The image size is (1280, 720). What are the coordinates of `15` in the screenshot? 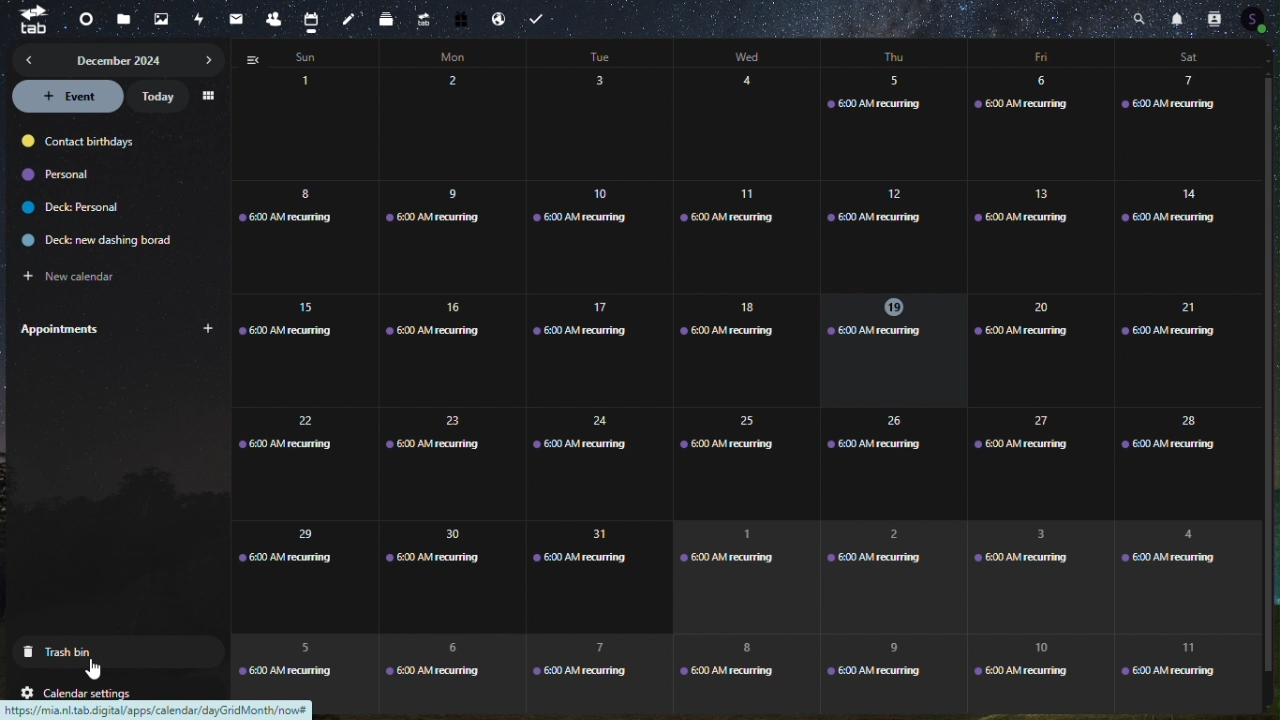 It's located at (290, 348).